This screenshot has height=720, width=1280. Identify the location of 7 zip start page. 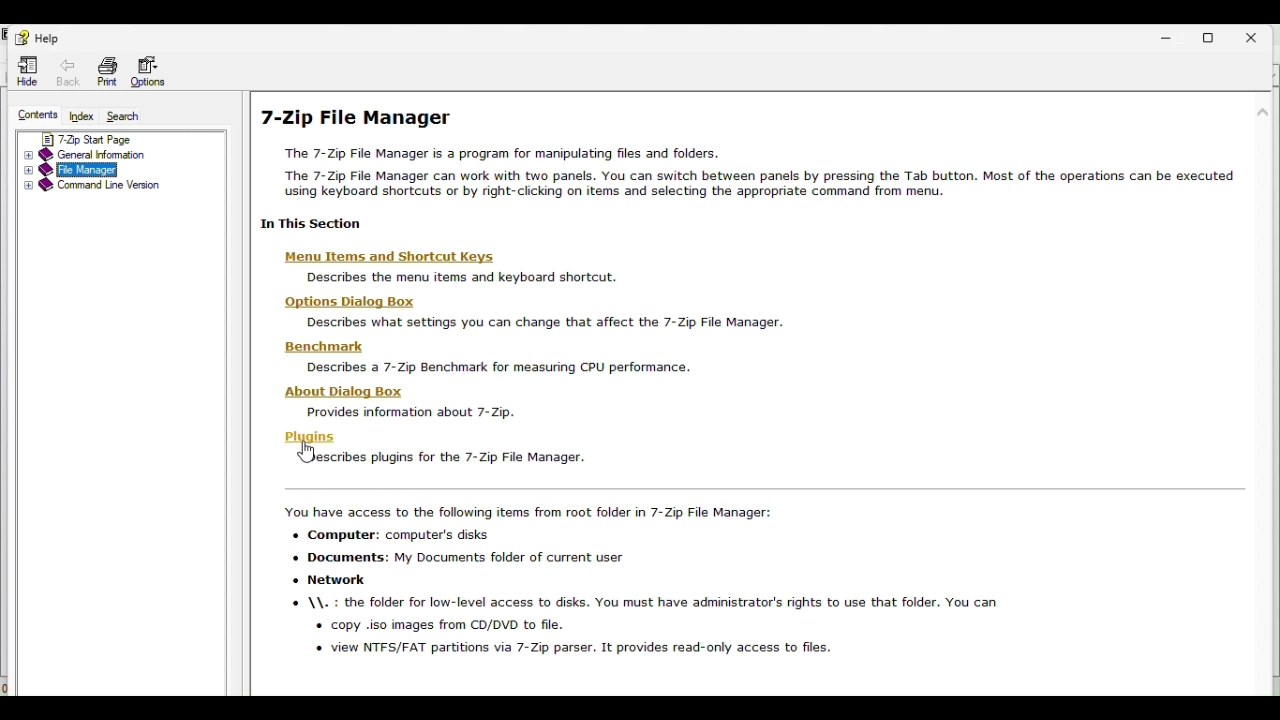
(118, 139).